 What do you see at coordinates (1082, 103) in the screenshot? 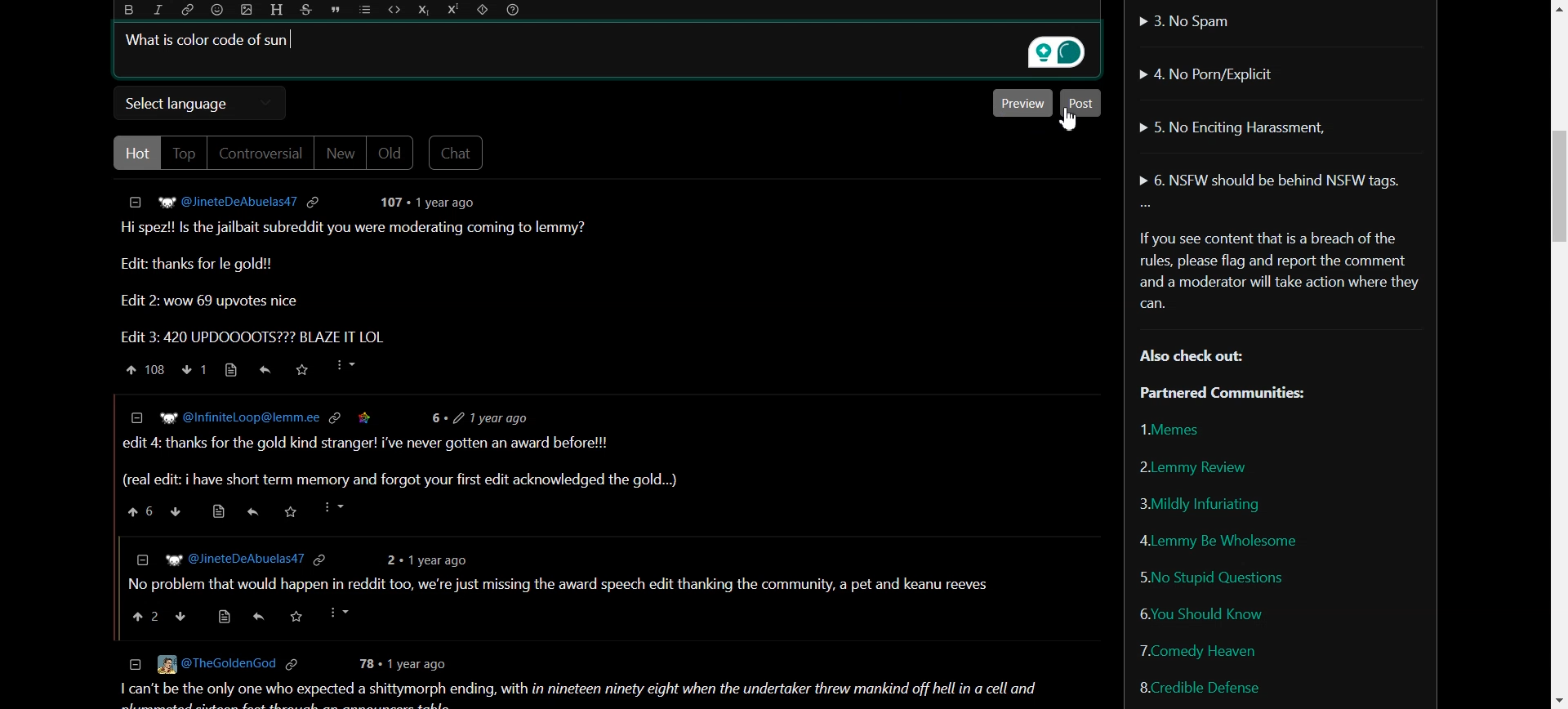
I see `Post` at bounding box center [1082, 103].